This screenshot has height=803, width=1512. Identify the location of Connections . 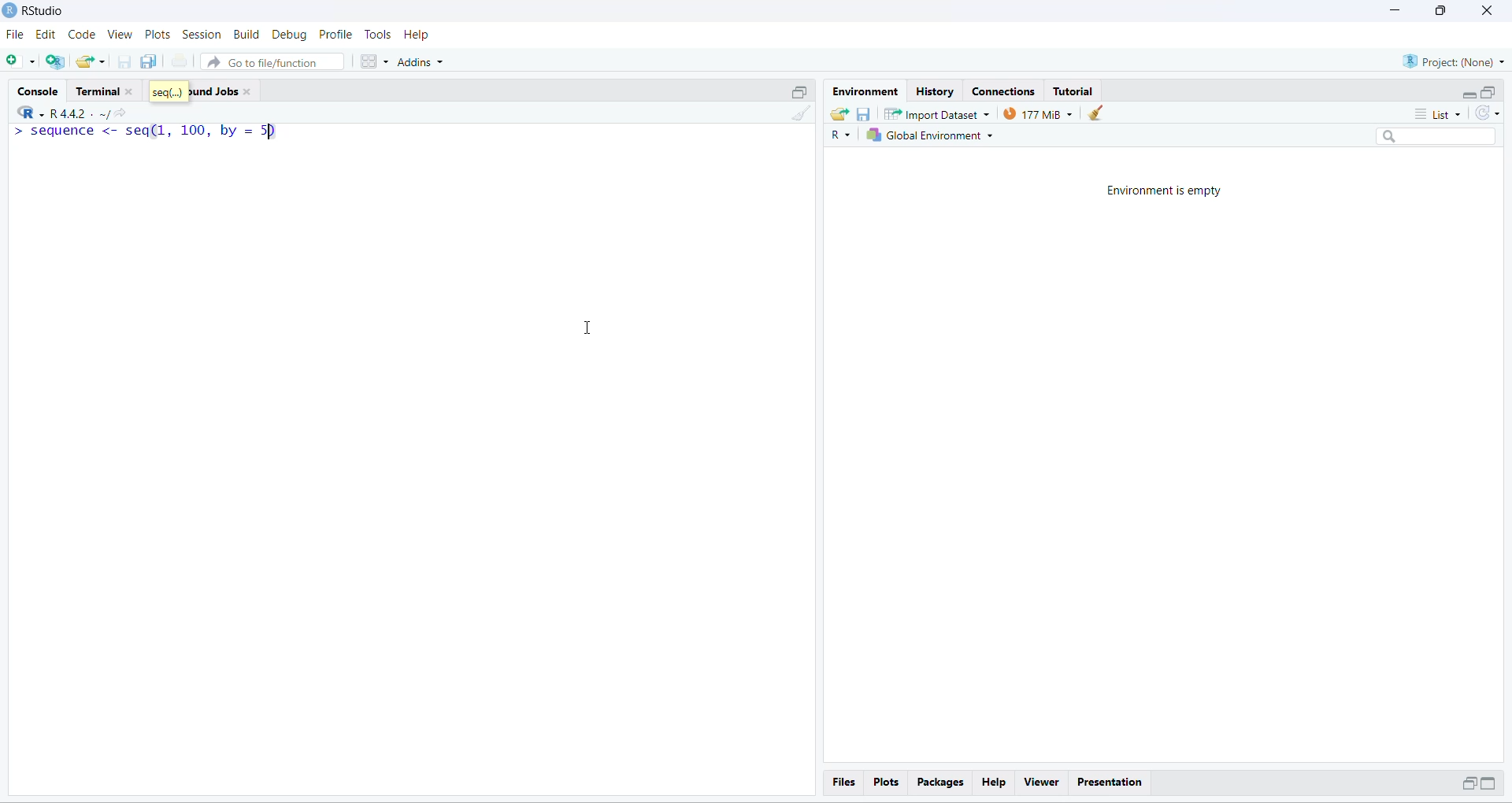
(1008, 92).